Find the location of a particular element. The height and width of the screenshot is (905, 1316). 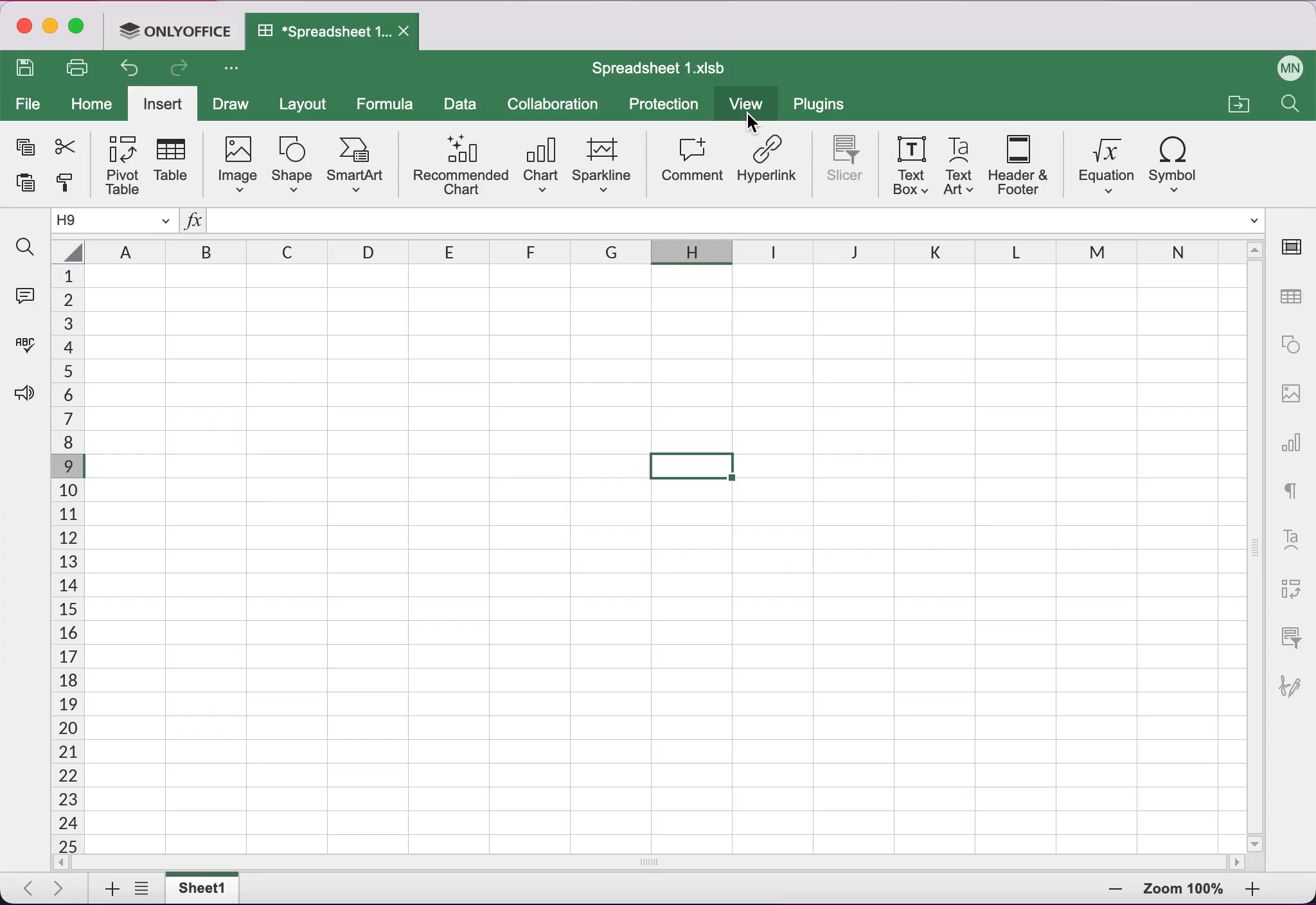

text is located at coordinates (1295, 491).